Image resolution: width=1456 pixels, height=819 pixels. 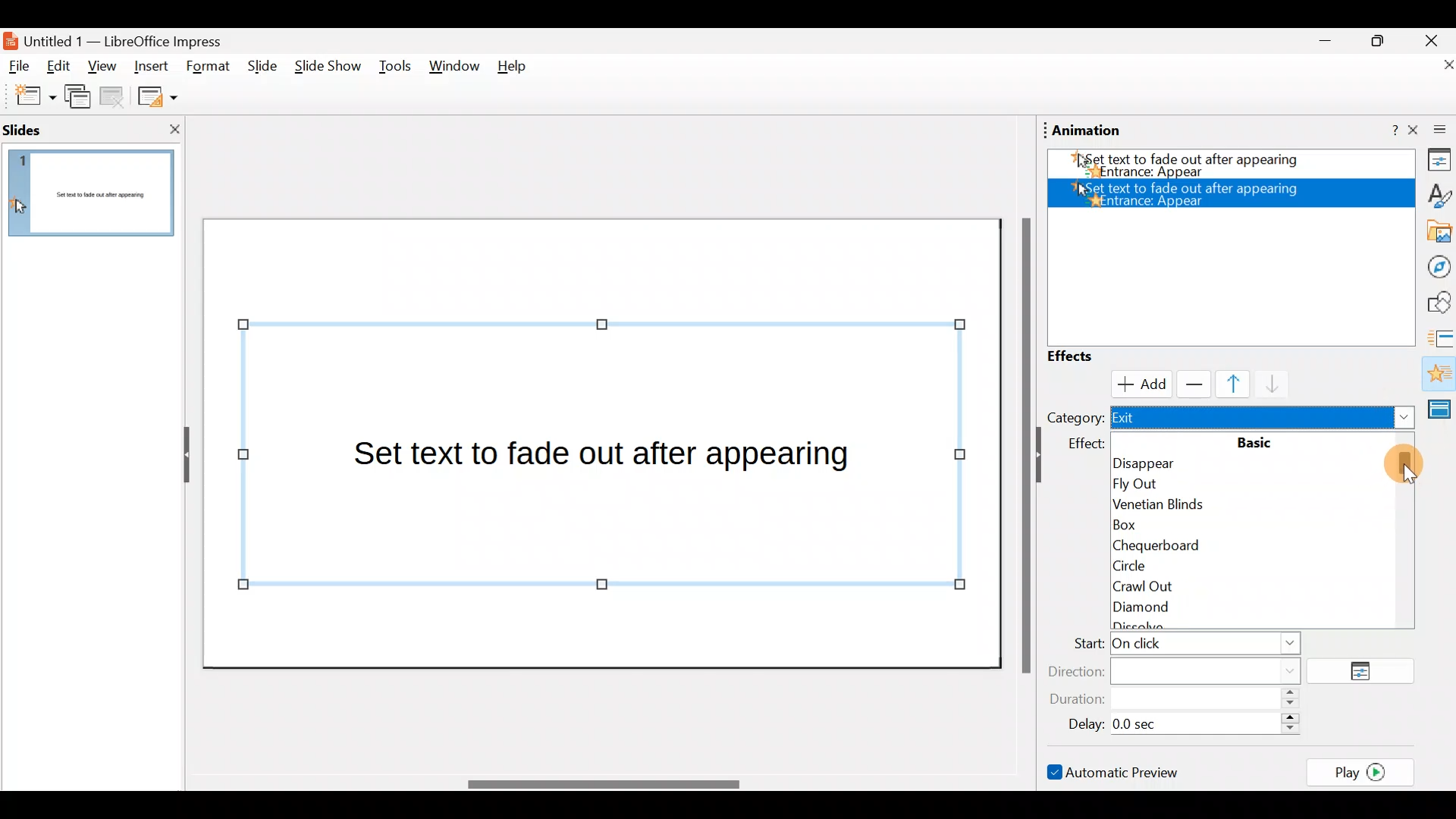 I want to click on Duration, so click(x=1179, y=700).